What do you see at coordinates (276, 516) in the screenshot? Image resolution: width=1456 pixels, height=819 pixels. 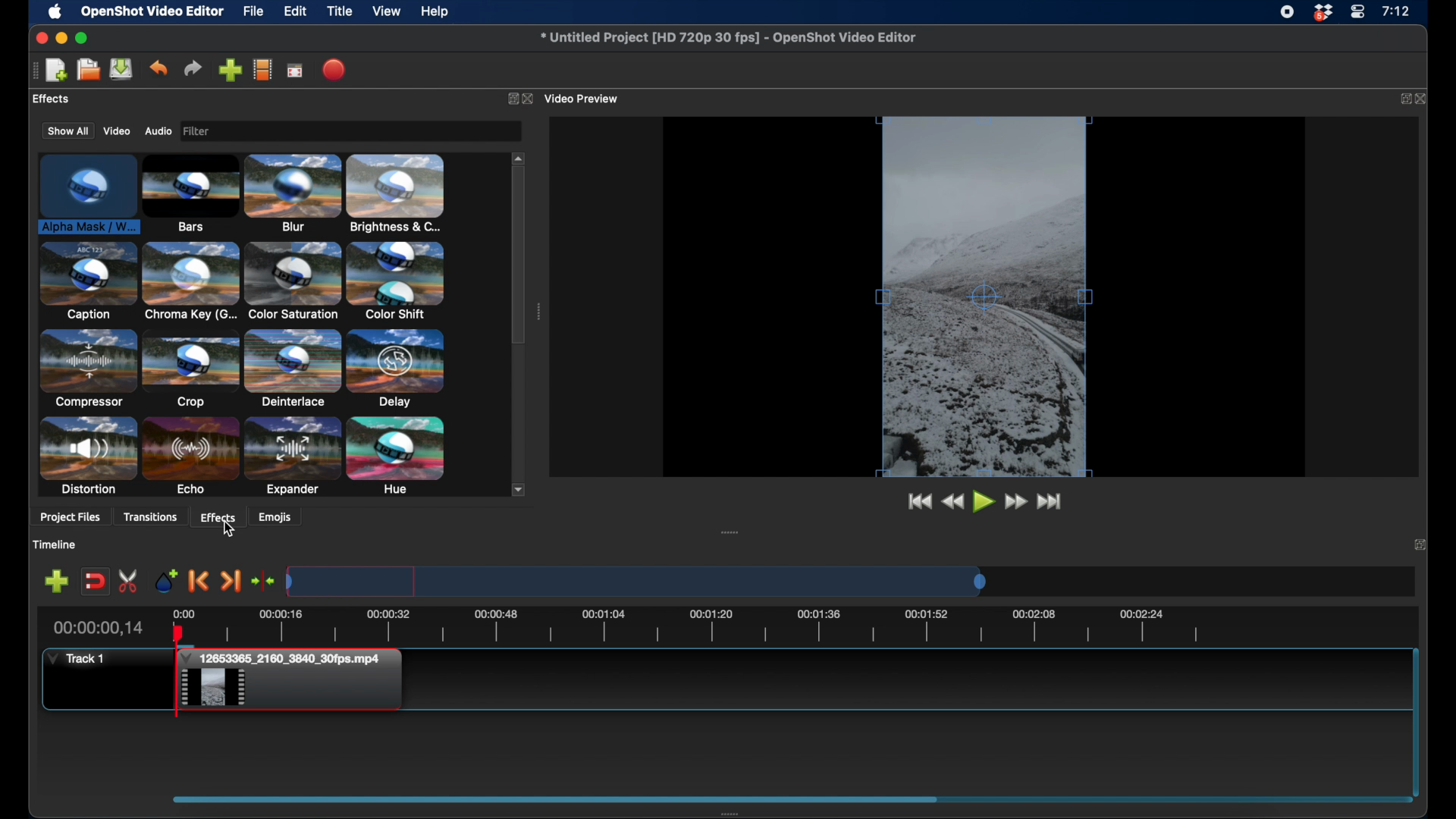 I see `emojis` at bounding box center [276, 516].